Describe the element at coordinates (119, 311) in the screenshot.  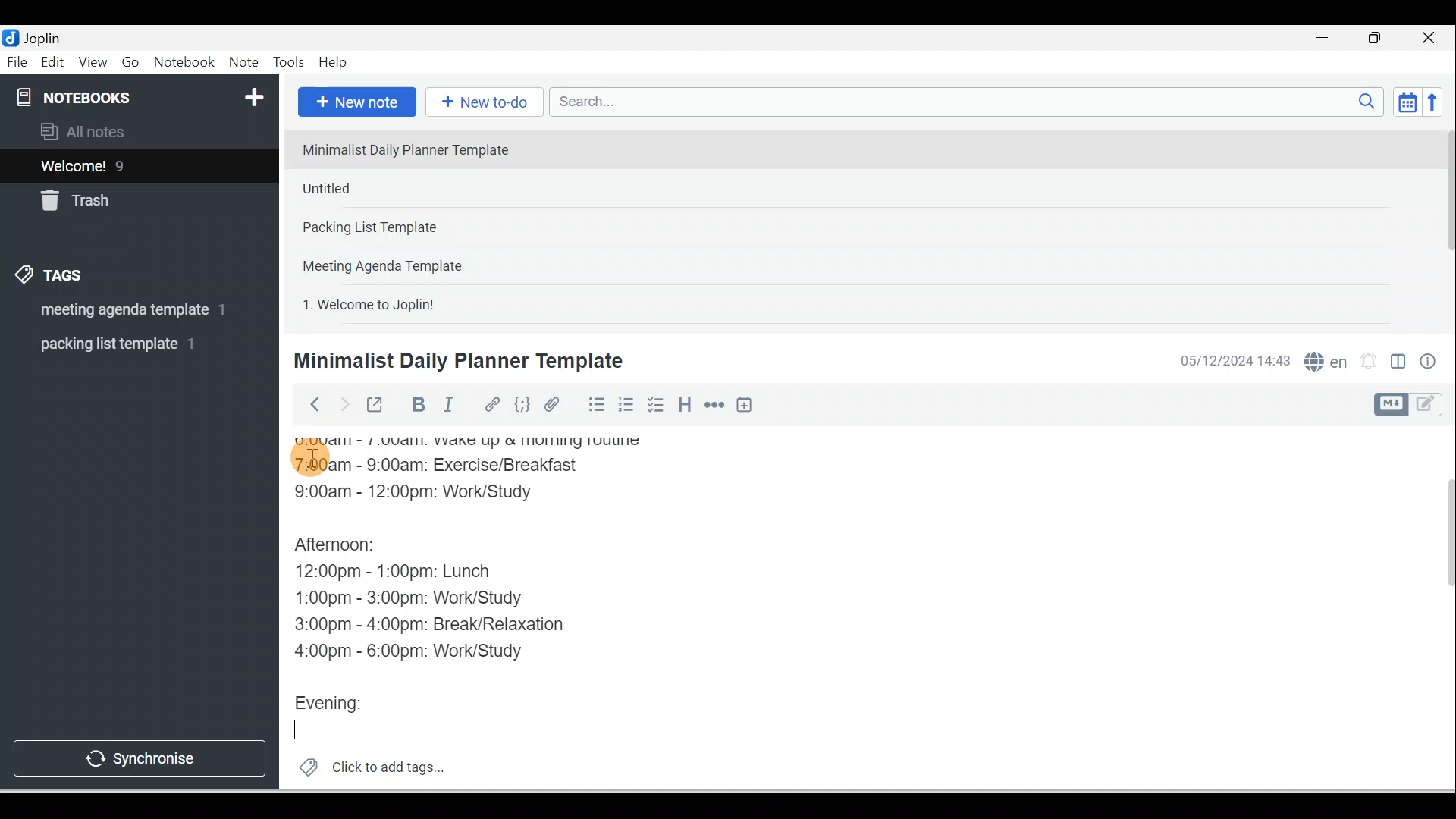
I see `Tag 1` at that location.